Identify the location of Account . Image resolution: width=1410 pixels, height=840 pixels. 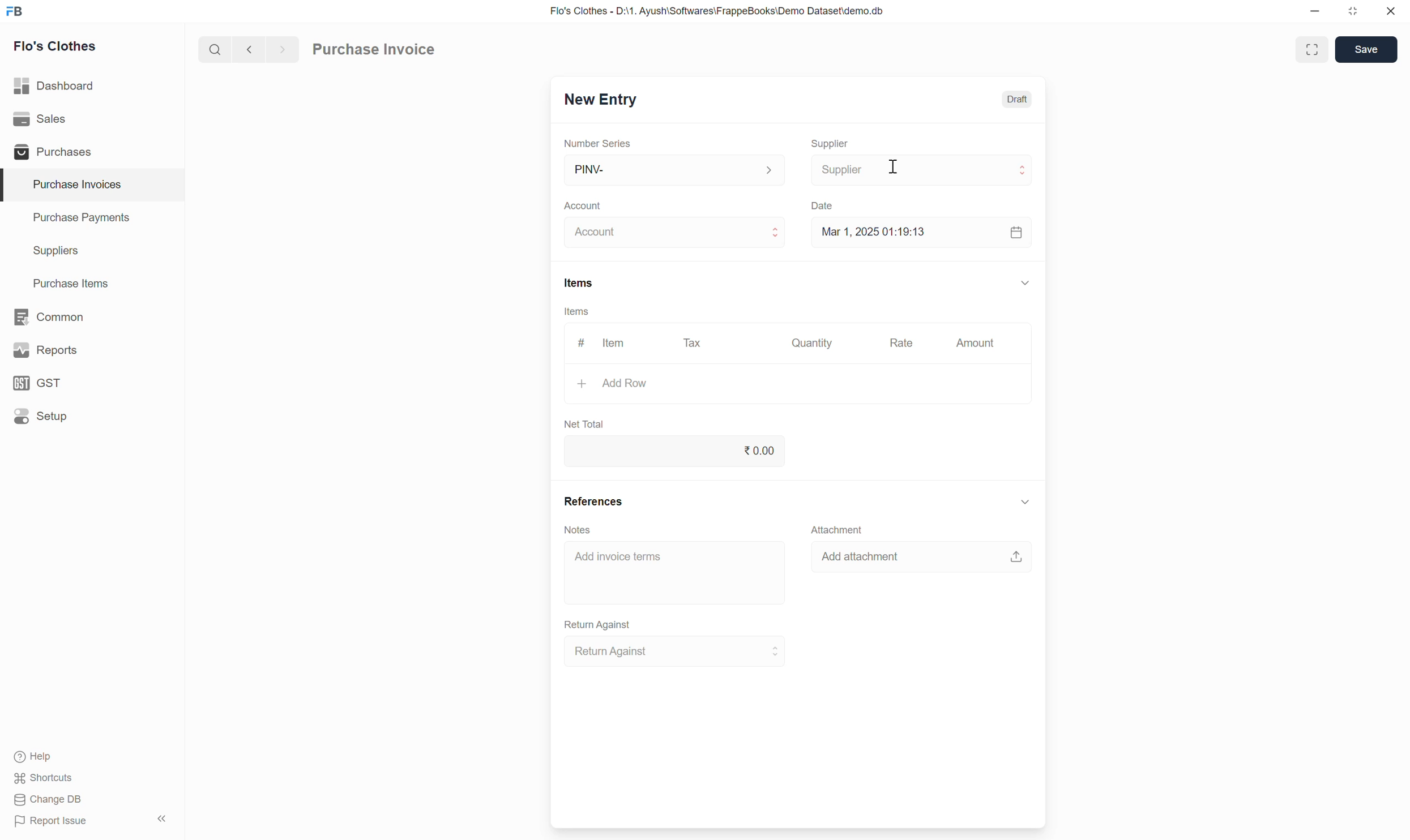
(675, 230).